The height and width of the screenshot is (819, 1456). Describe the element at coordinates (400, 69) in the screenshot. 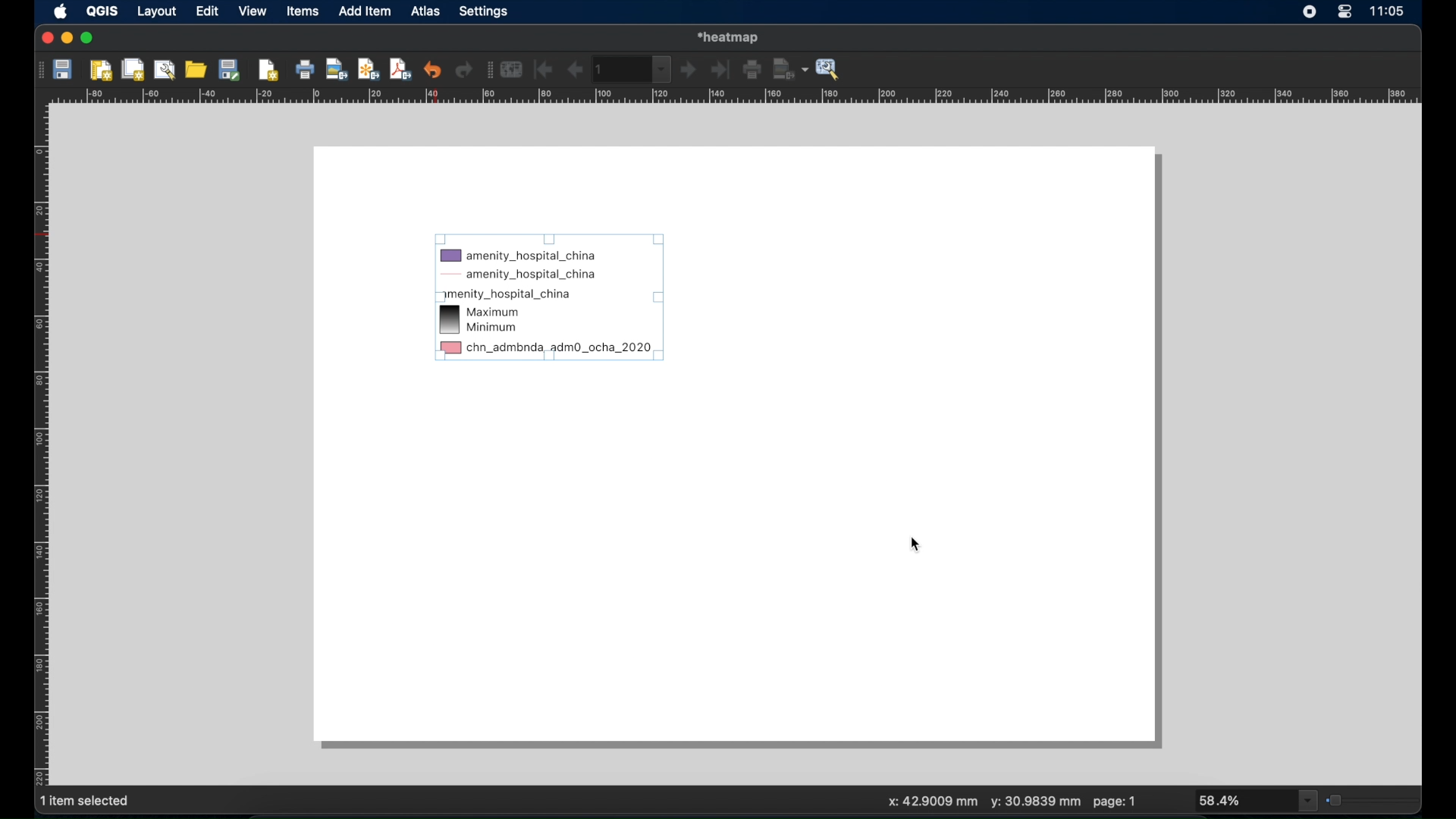

I see `export as pdf` at that location.